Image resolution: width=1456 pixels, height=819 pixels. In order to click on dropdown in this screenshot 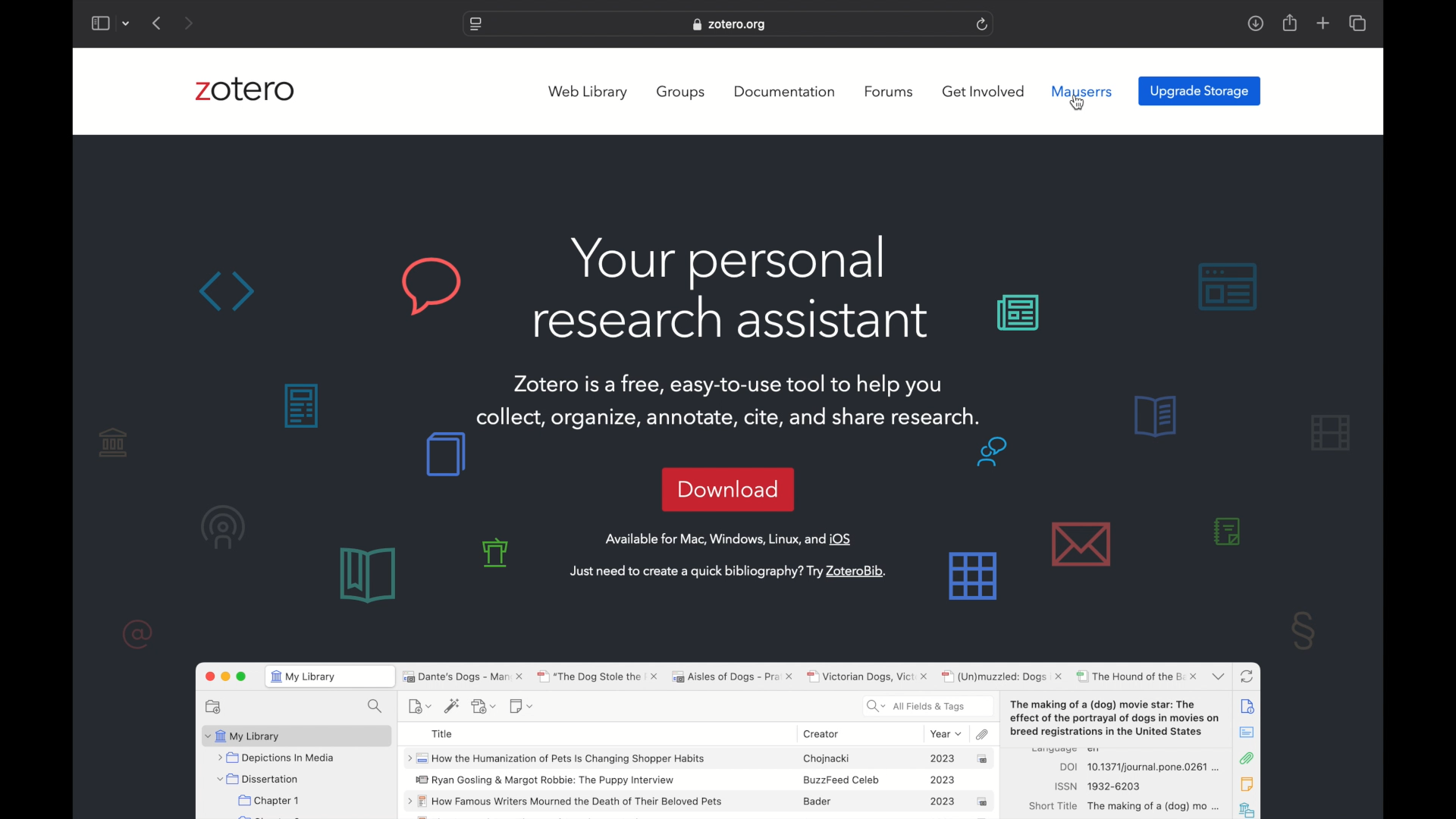, I will do `click(128, 23)`.